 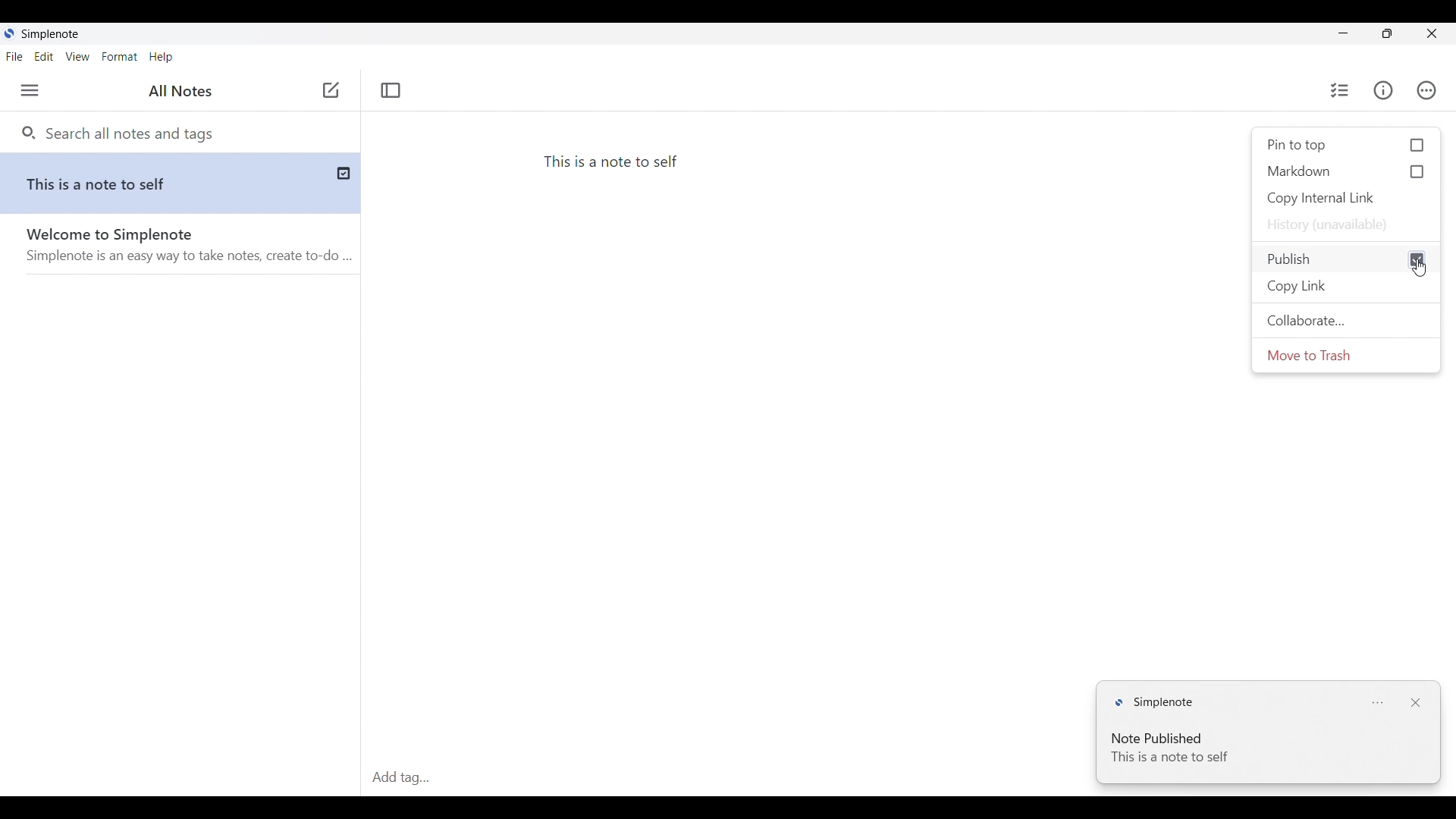 What do you see at coordinates (1341, 90) in the screenshot?
I see `Insert checklist` at bounding box center [1341, 90].